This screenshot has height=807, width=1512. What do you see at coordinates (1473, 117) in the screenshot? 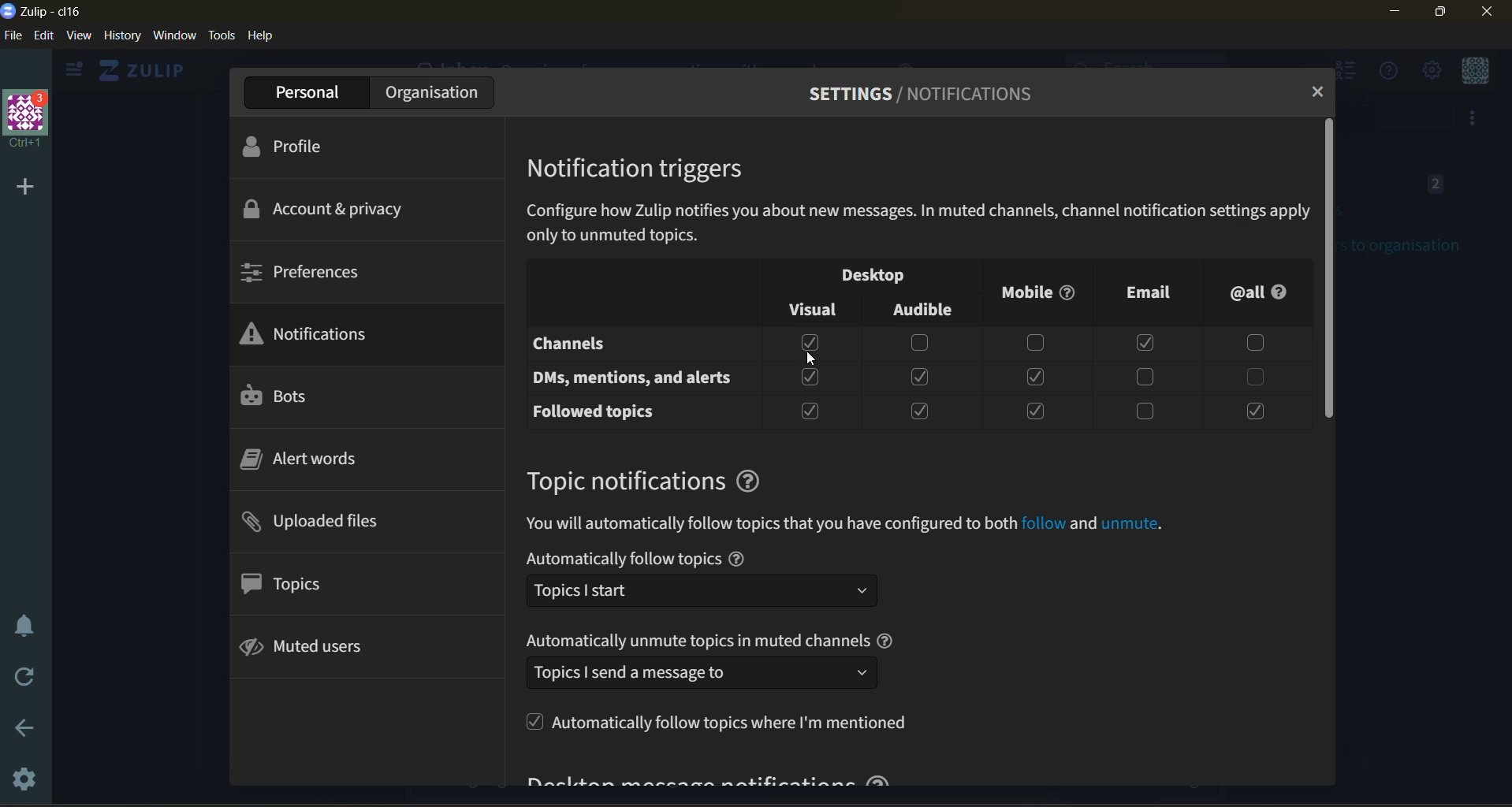
I see `invite users to organisation` at bounding box center [1473, 117].